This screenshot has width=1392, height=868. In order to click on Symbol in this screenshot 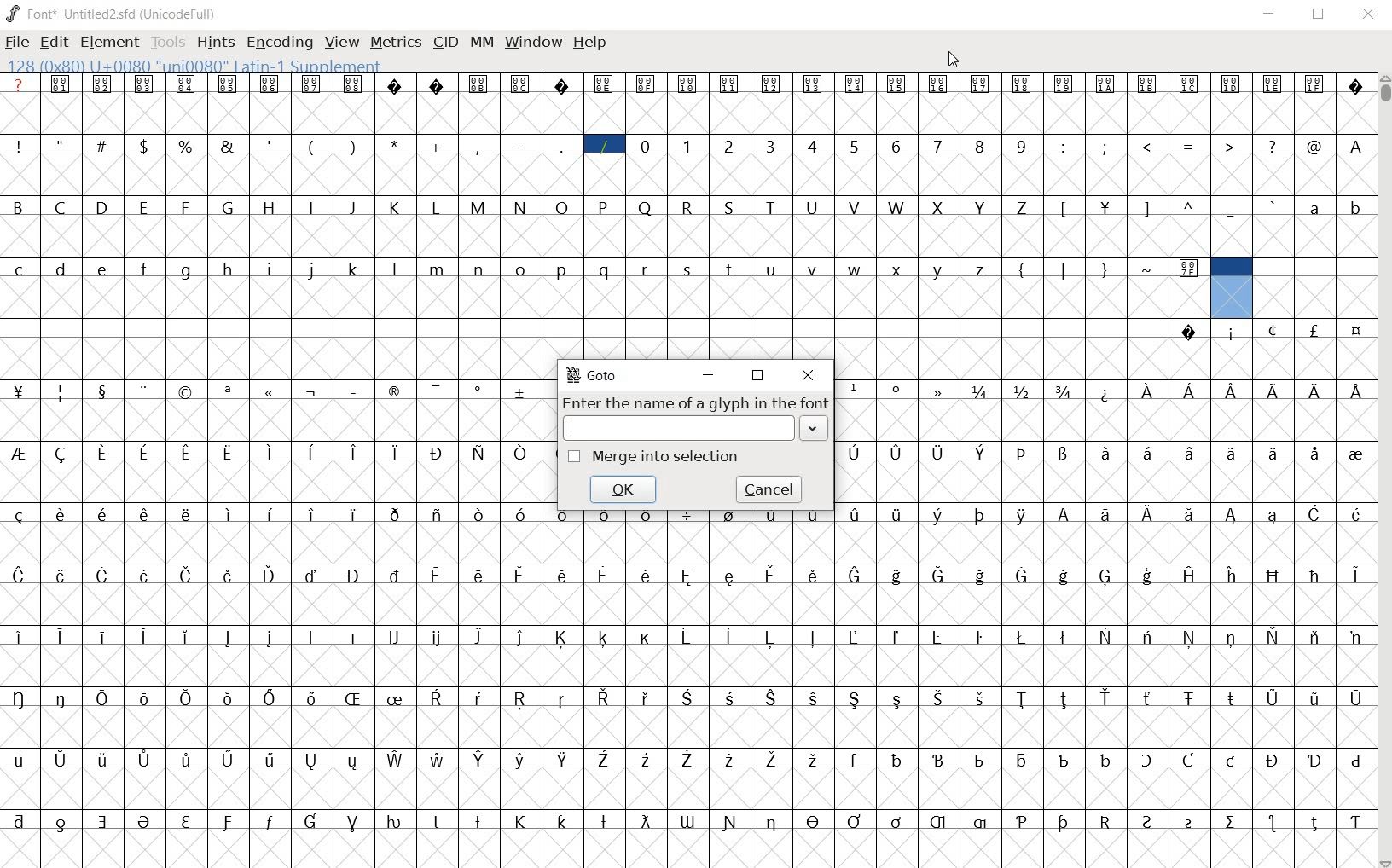, I will do `click(937, 637)`.